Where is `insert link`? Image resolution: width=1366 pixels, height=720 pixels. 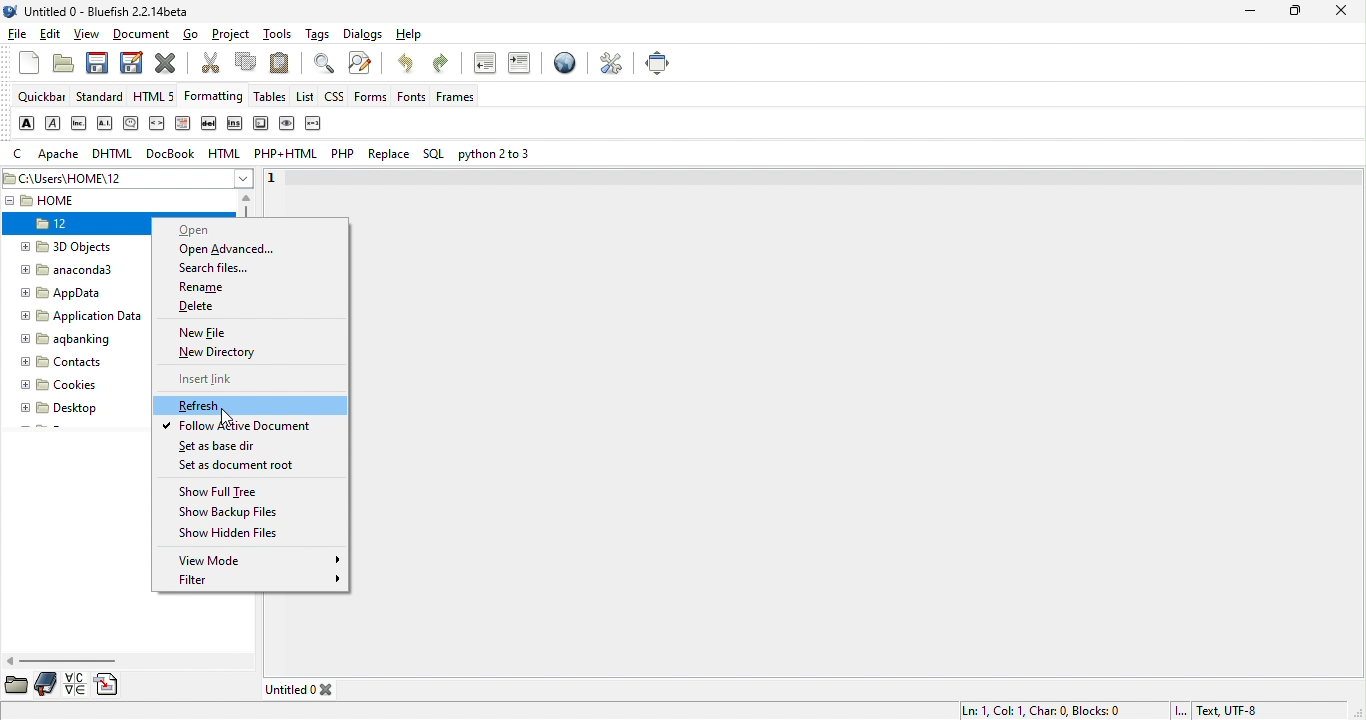 insert link is located at coordinates (216, 379).